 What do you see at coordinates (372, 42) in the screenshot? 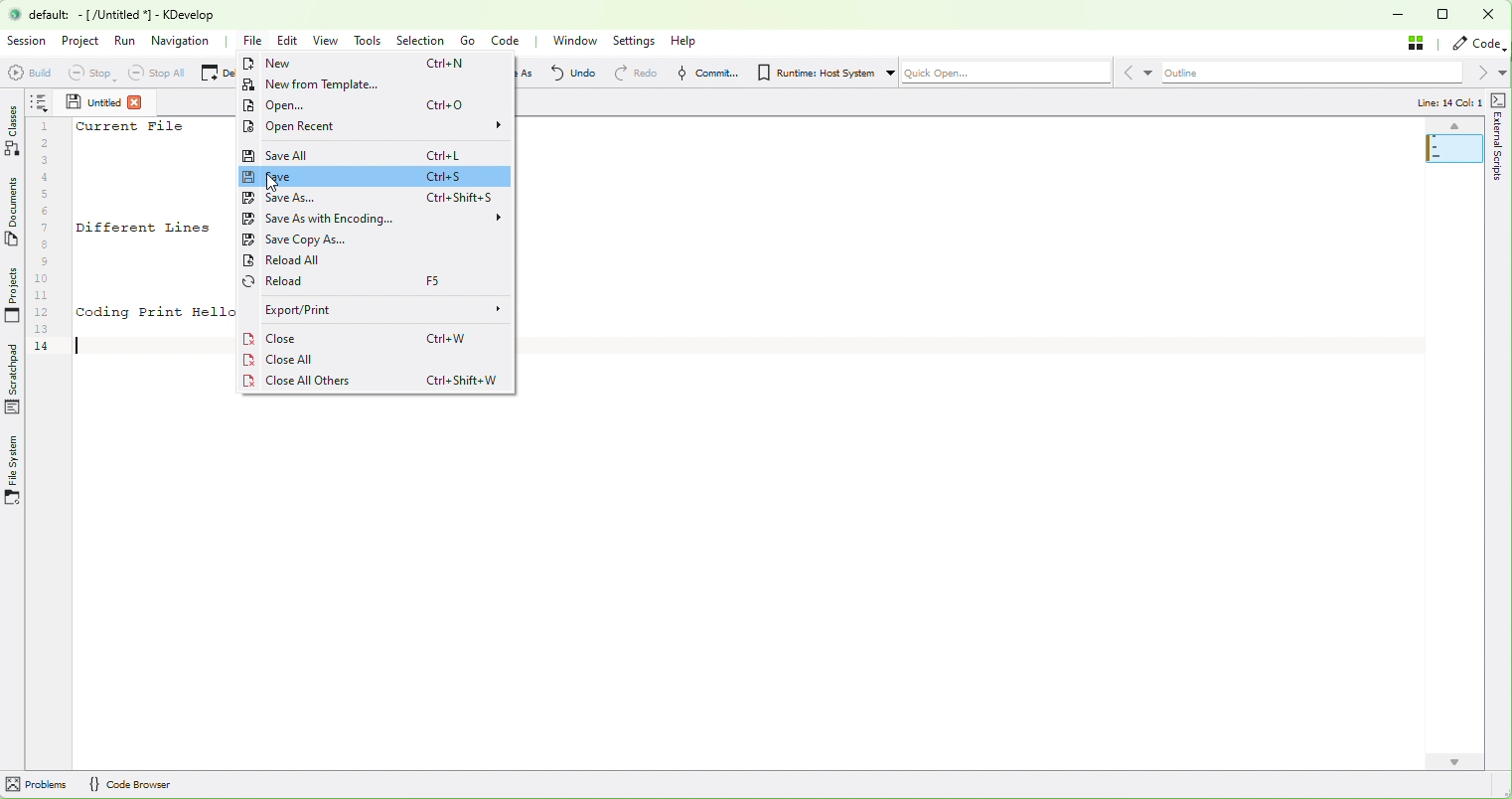
I see `Tools` at bounding box center [372, 42].